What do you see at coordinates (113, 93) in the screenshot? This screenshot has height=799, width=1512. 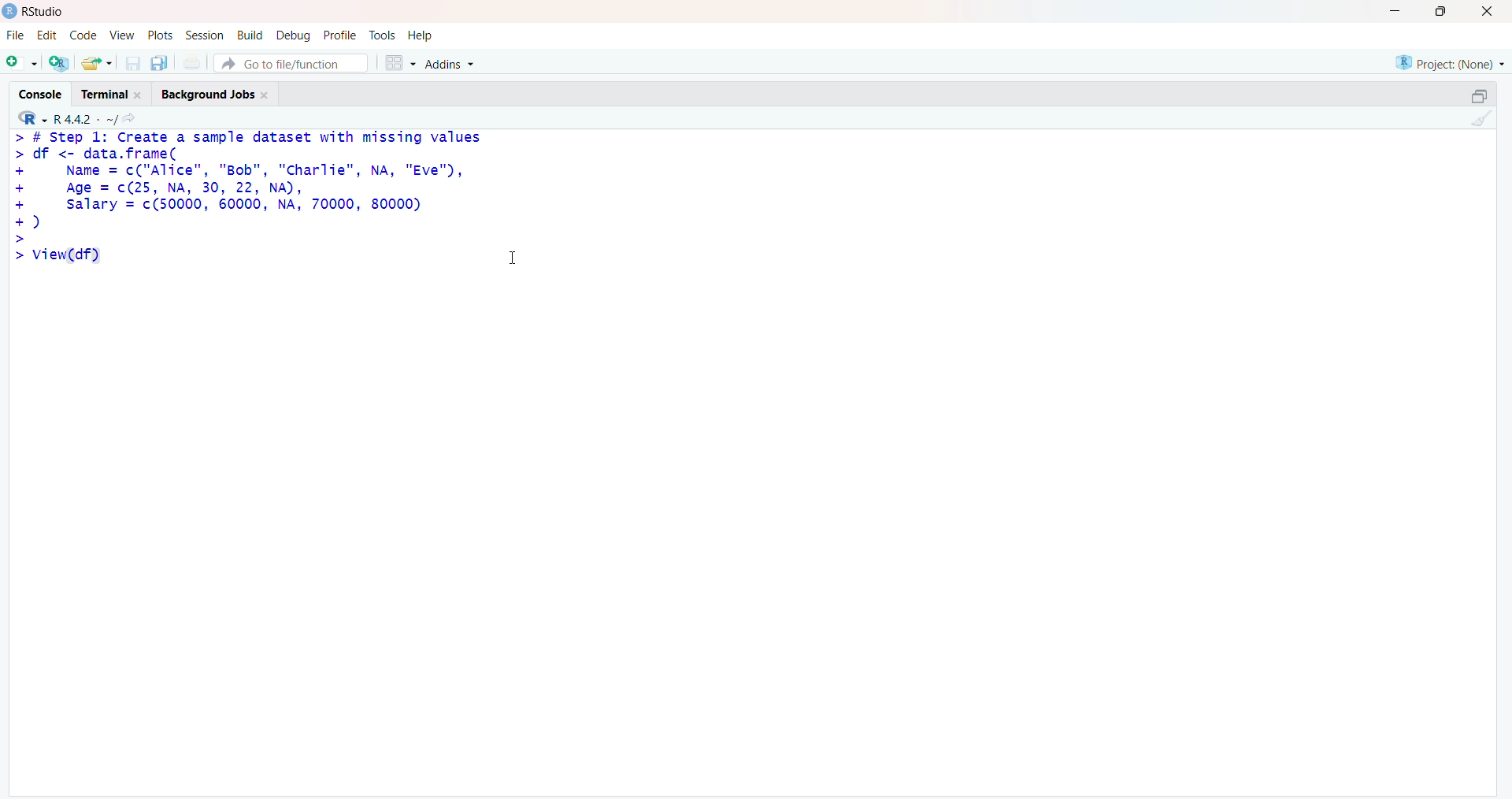 I see `Terminal` at bounding box center [113, 93].